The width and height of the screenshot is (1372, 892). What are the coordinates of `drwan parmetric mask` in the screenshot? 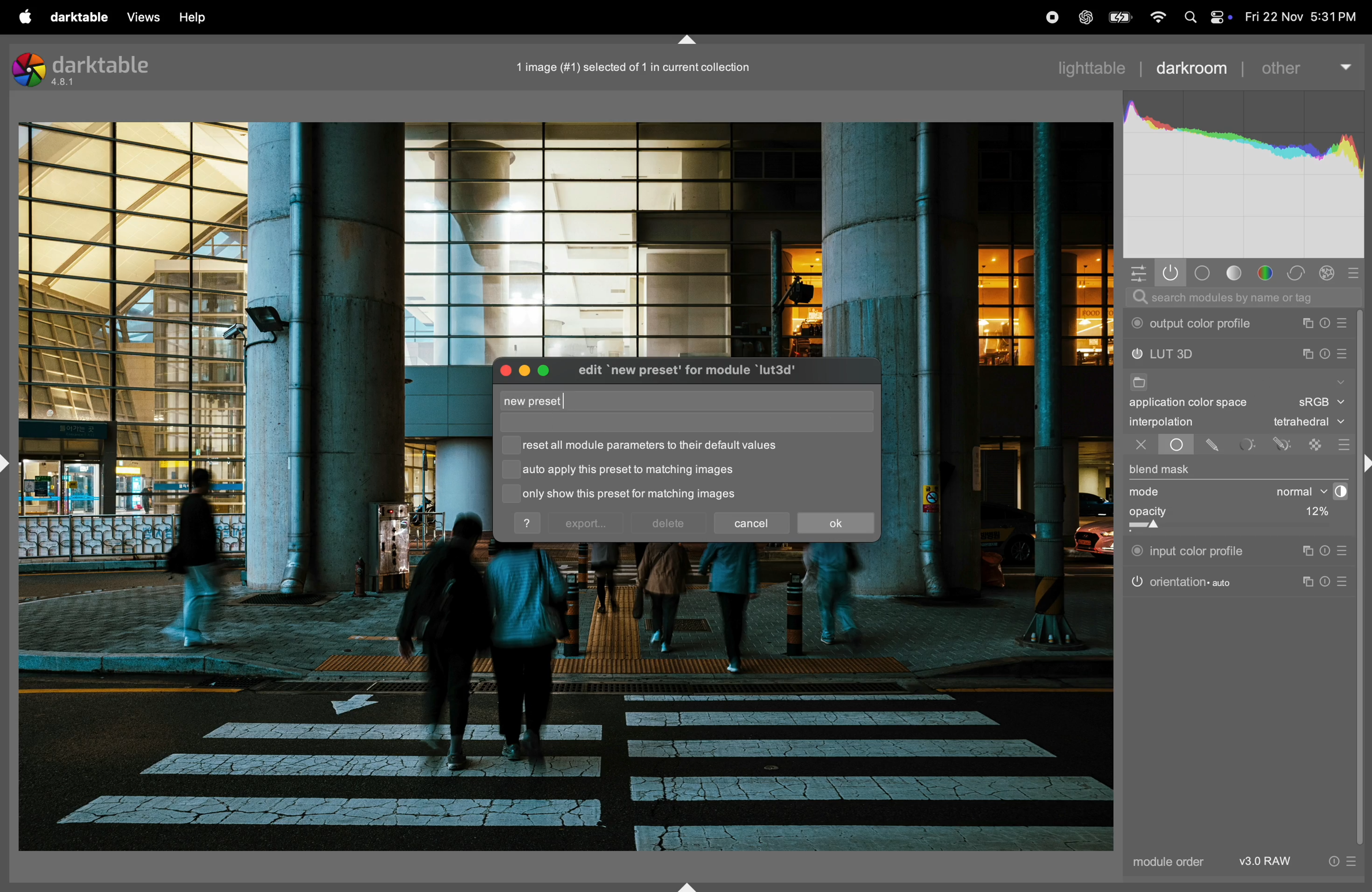 It's located at (1285, 443).